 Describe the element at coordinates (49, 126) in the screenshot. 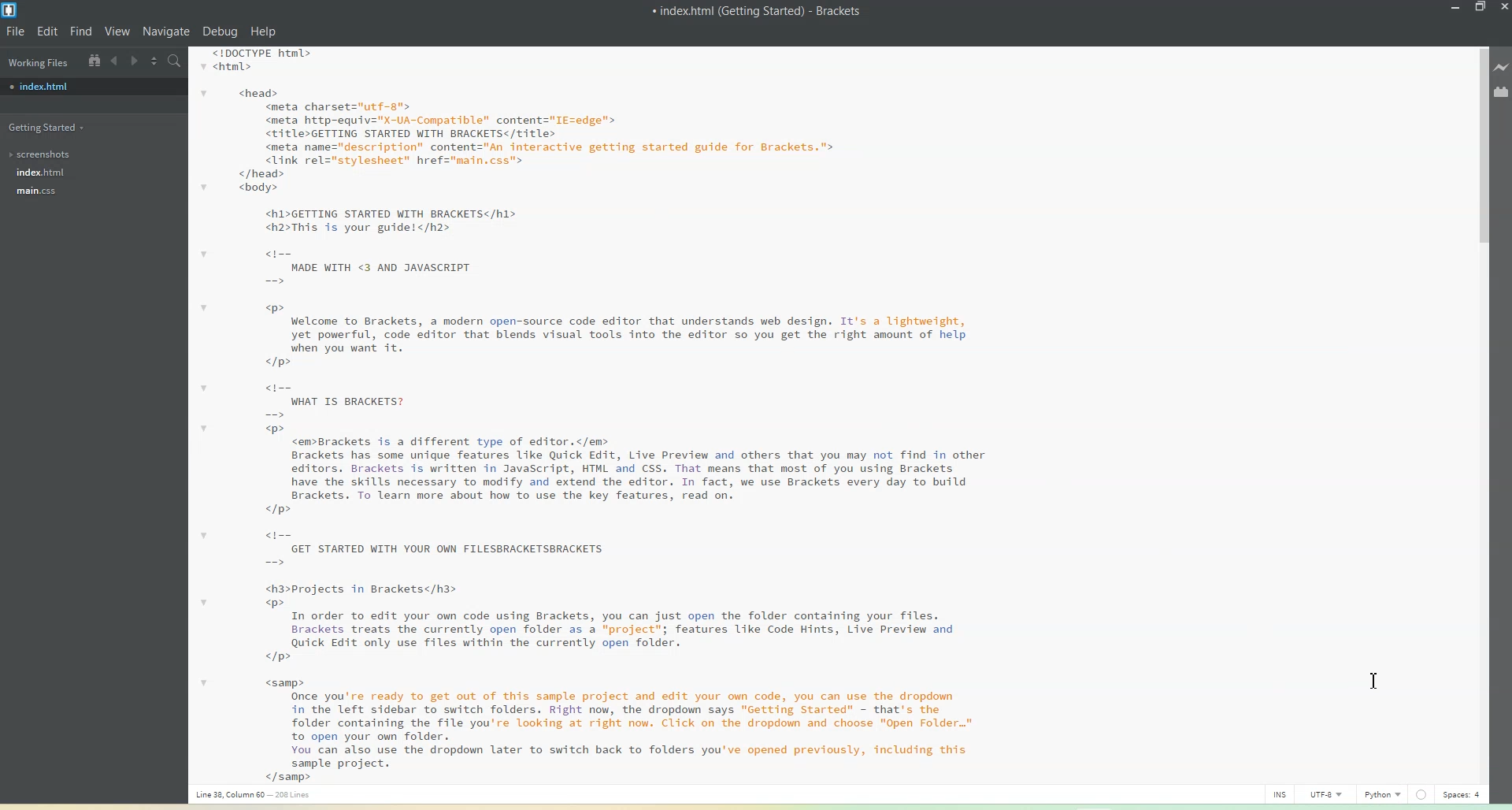

I see `Getting Started` at that location.